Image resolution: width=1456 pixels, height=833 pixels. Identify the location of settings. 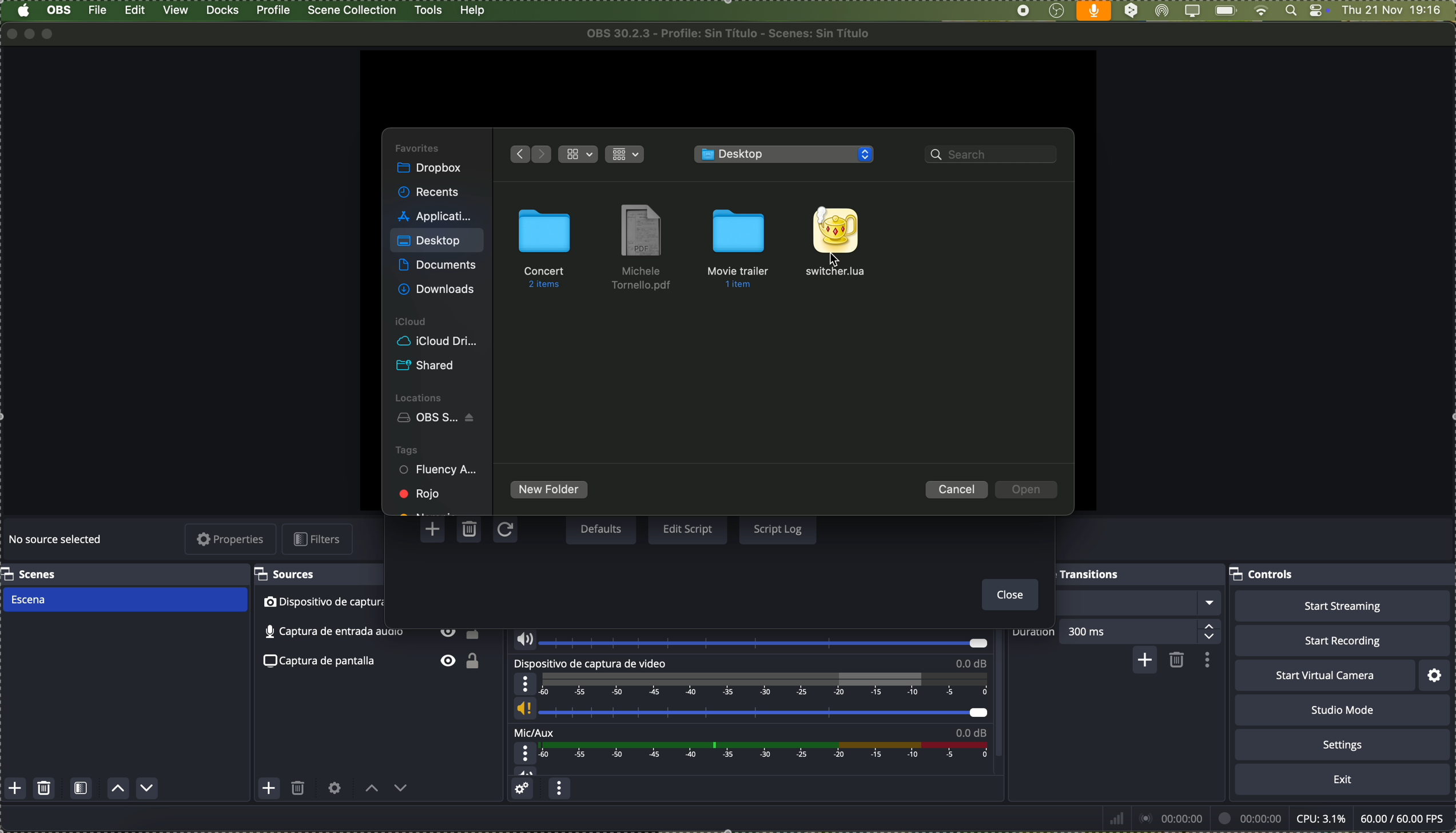
(1343, 744).